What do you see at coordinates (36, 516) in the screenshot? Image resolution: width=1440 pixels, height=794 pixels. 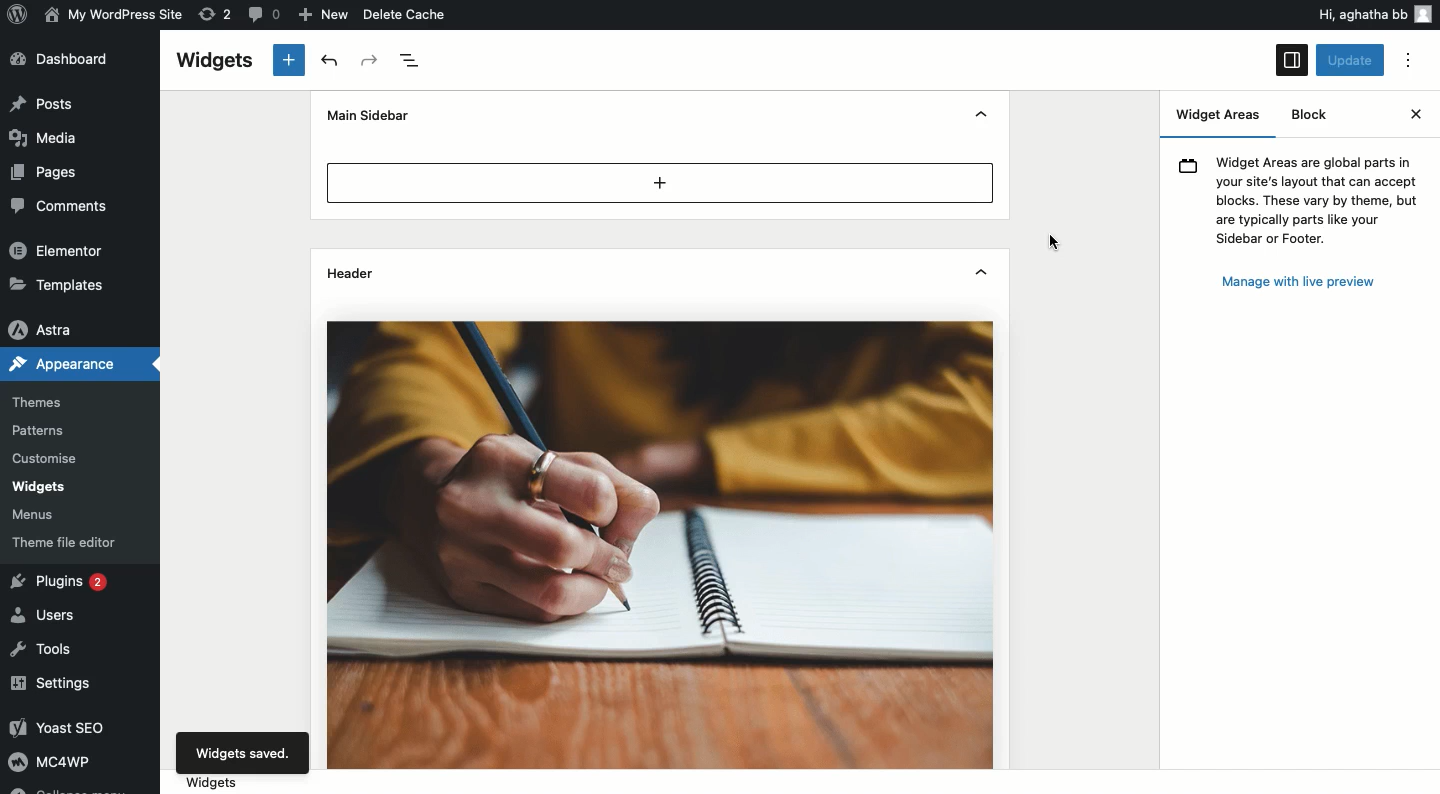 I see `Menus` at bounding box center [36, 516].